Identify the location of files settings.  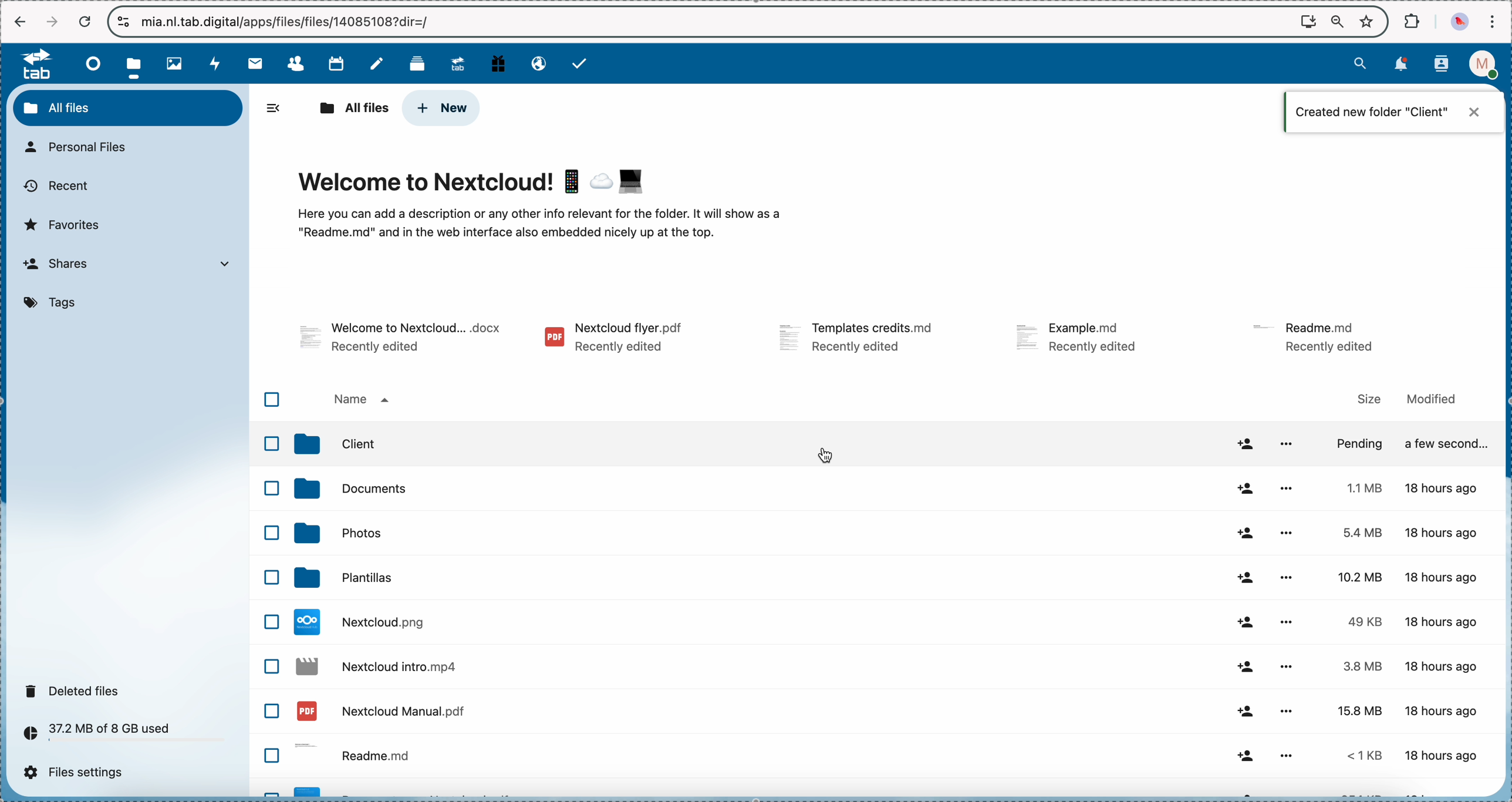
(79, 773).